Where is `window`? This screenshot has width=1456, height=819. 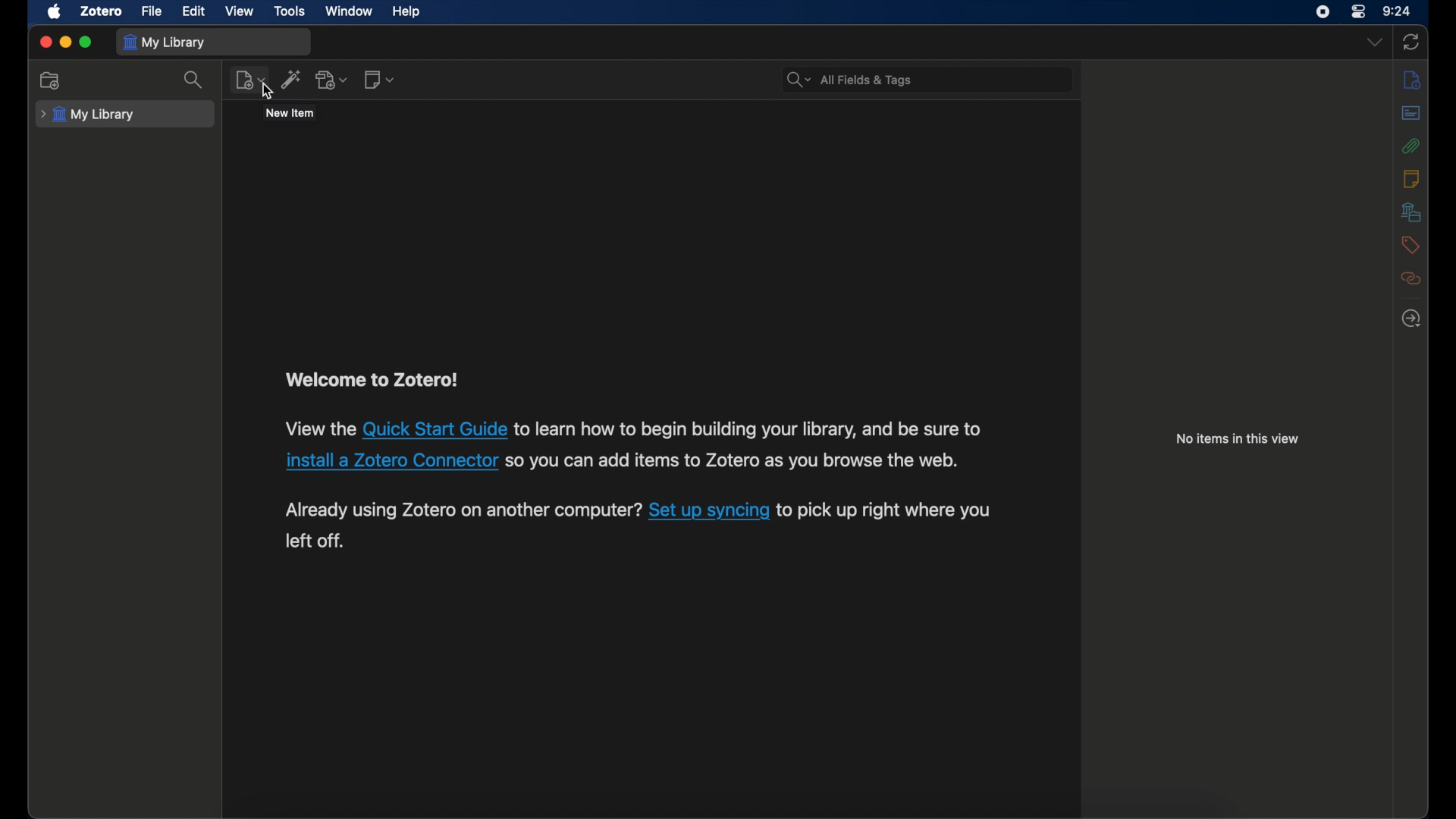 window is located at coordinates (351, 11).